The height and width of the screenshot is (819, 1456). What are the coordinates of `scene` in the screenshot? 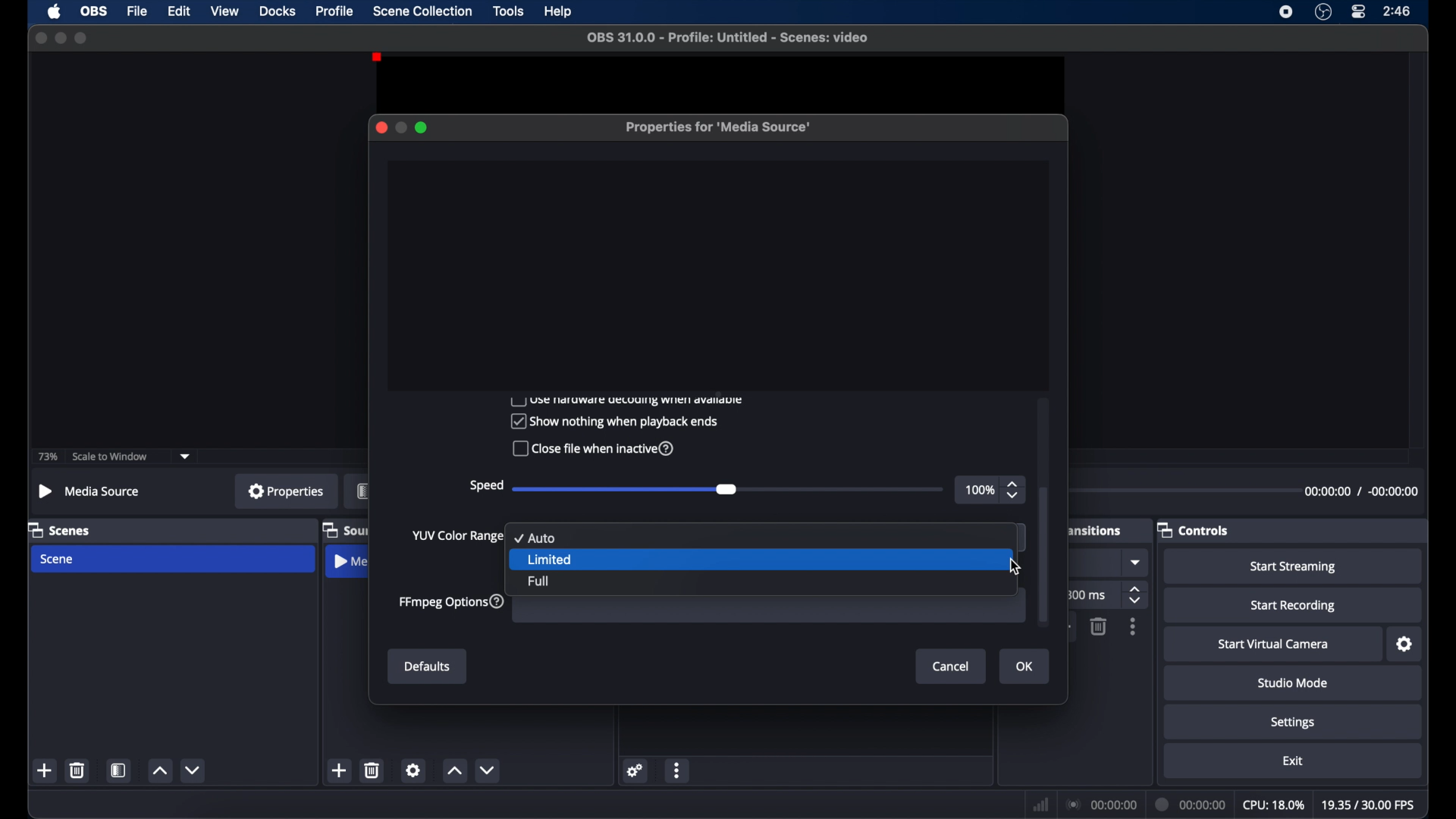 It's located at (58, 559).